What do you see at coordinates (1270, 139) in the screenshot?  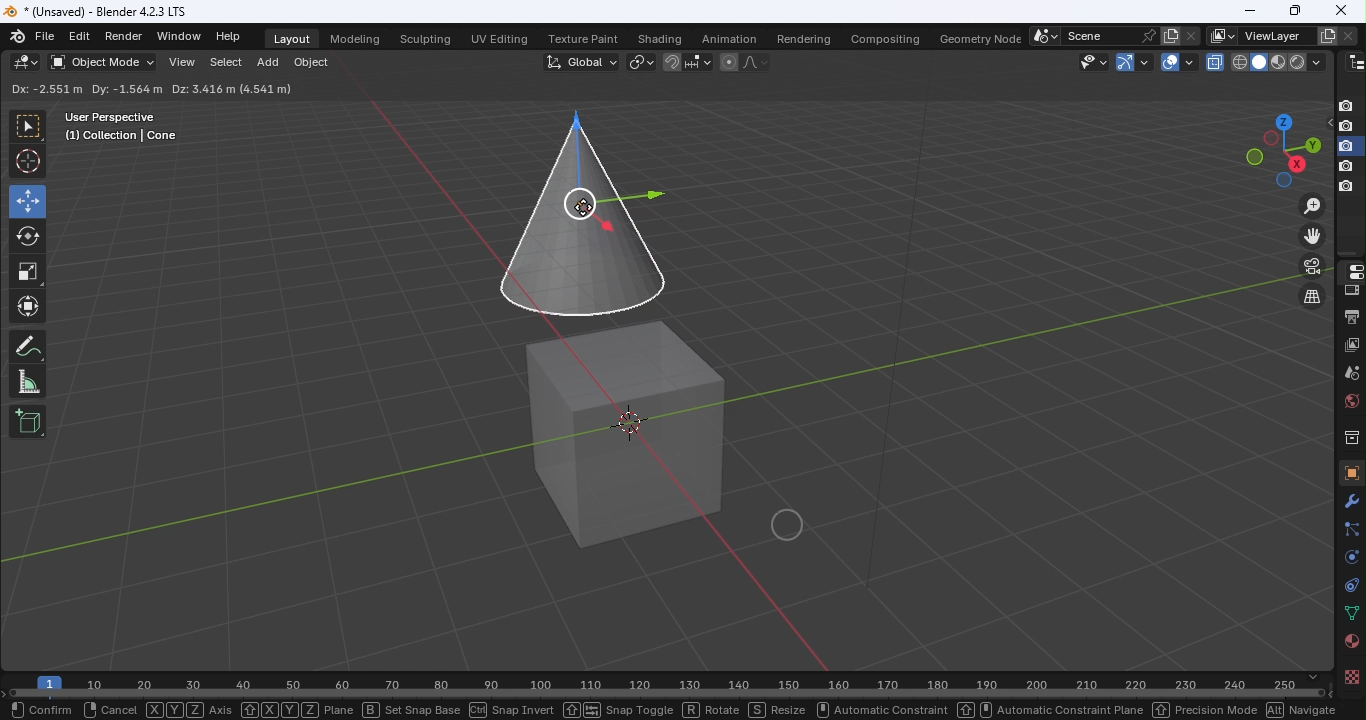 I see `Rotate the view` at bounding box center [1270, 139].